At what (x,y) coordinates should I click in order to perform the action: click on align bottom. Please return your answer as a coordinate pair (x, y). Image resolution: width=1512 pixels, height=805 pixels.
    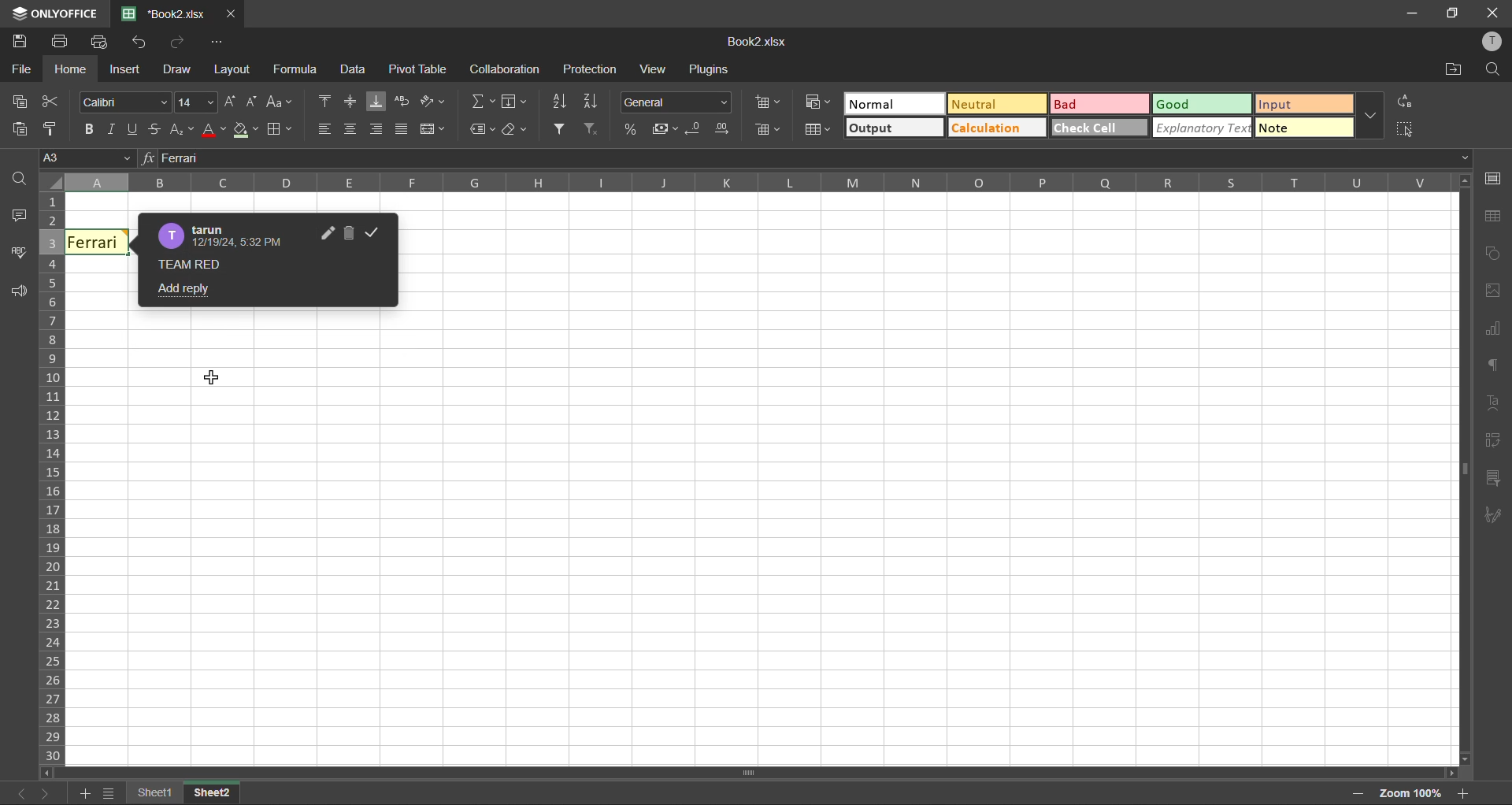
    Looking at the image, I should click on (374, 101).